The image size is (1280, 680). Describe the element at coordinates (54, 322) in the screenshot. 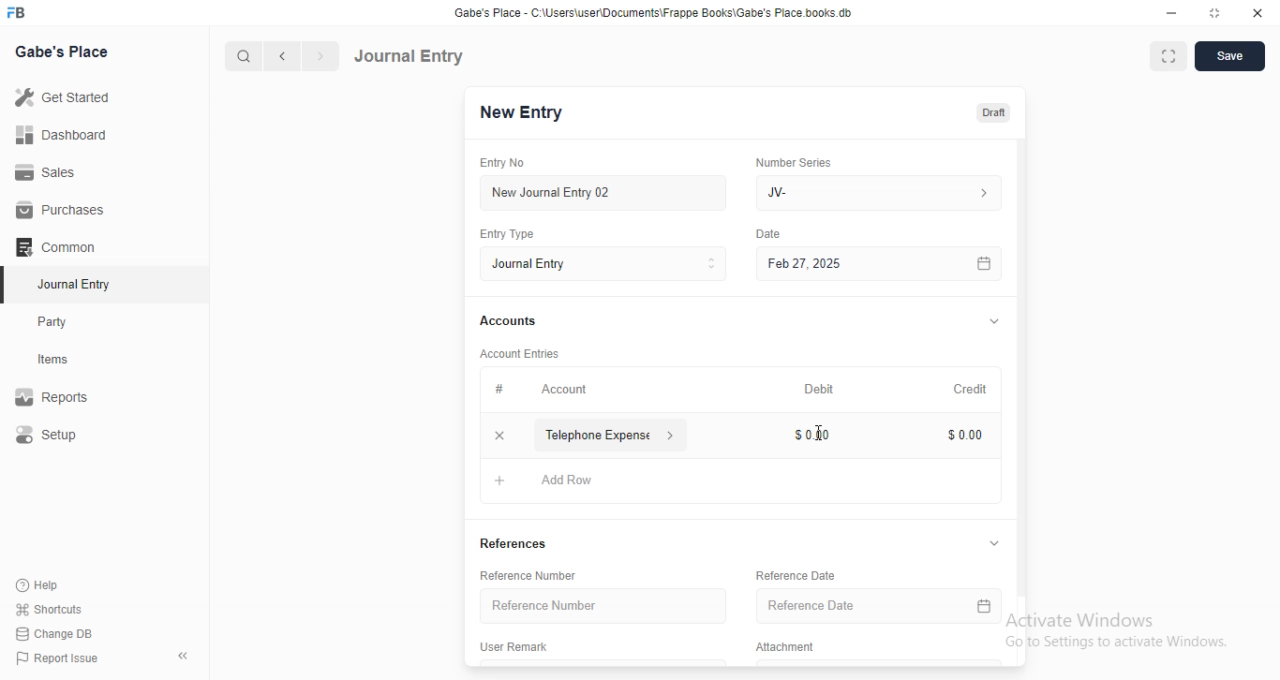

I see `Party` at that location.